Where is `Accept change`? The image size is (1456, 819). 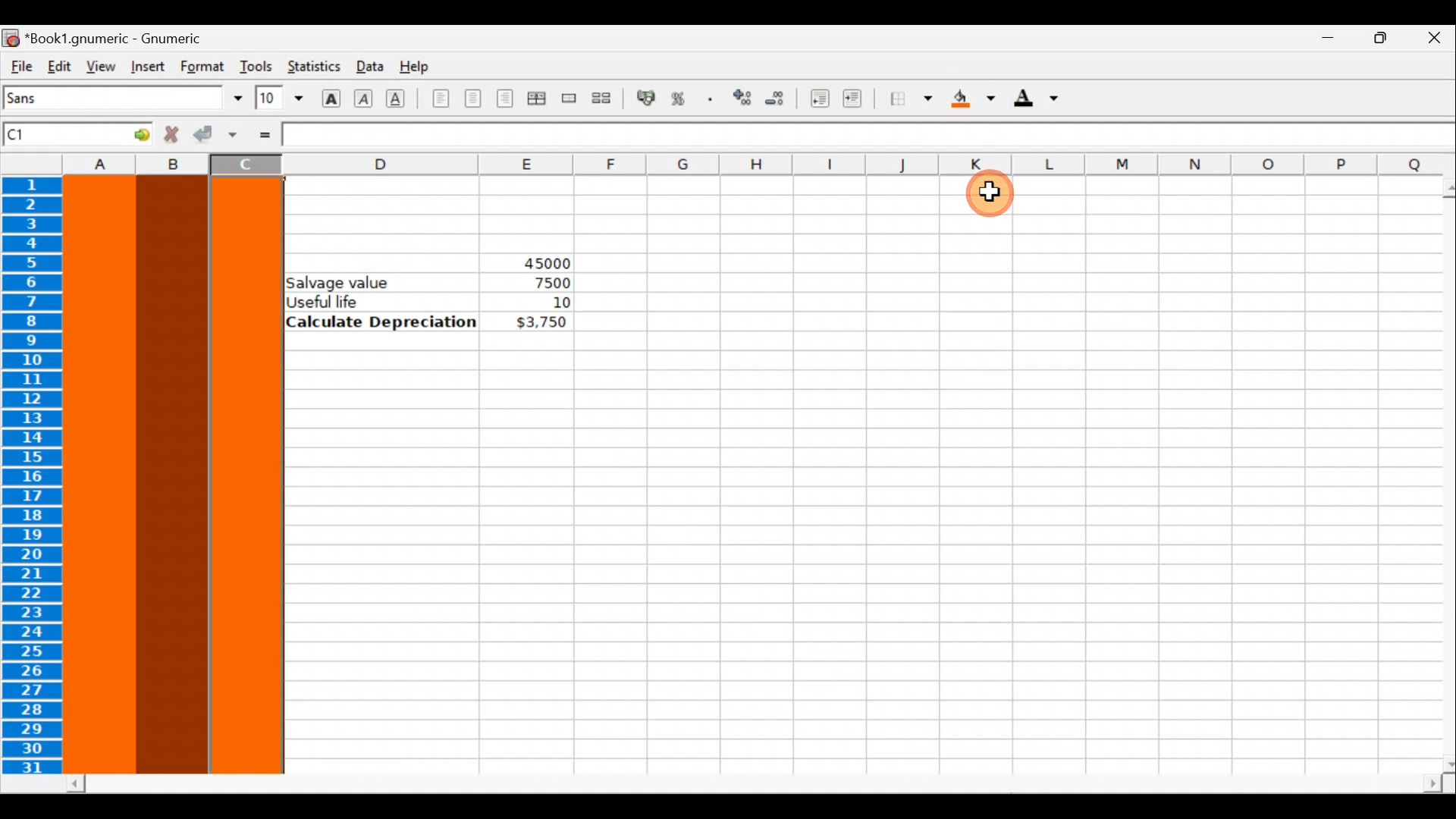
Accept change is located at coordinates (215, 135).